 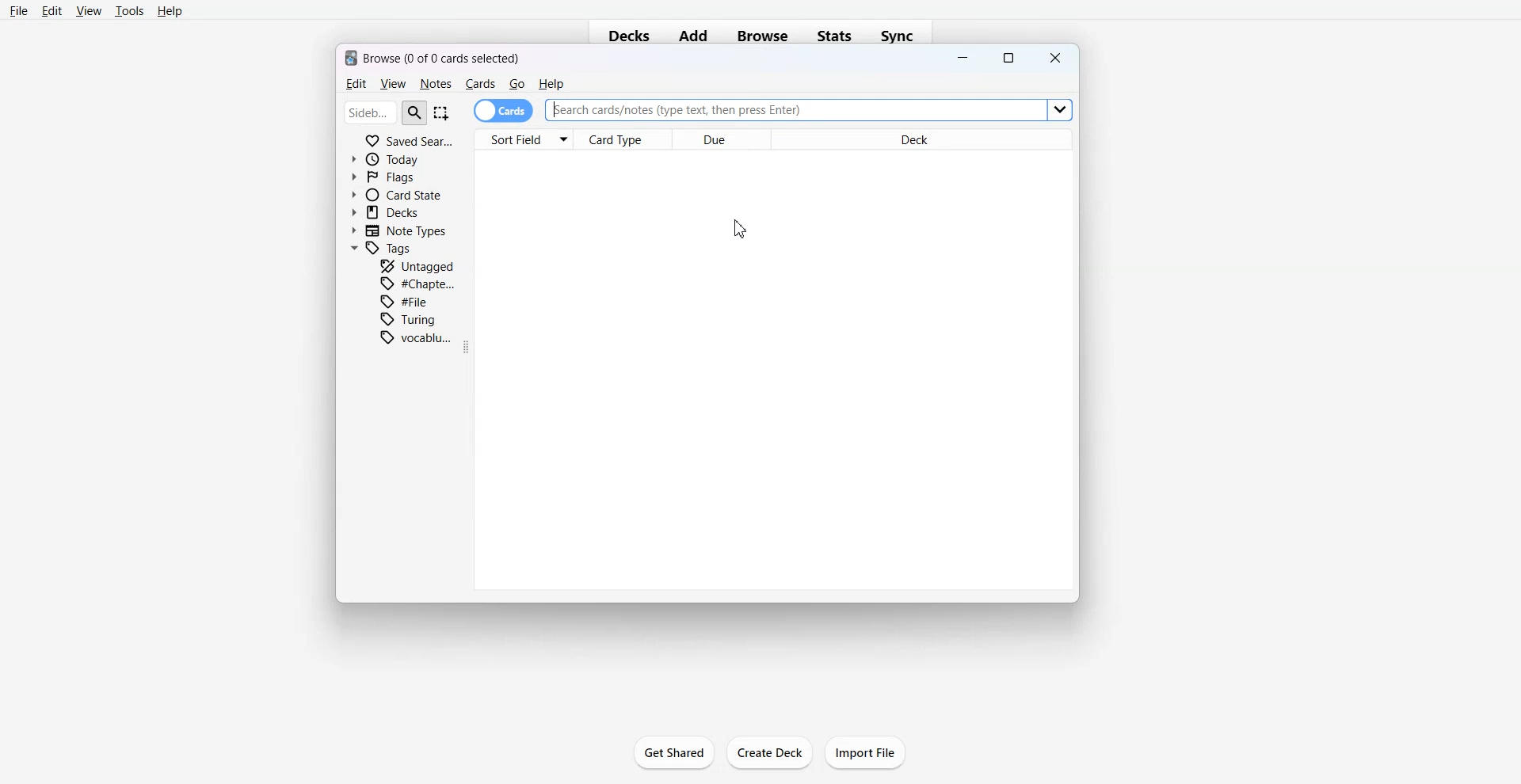 I want to click on Cursor, so click(x=743, y=228).